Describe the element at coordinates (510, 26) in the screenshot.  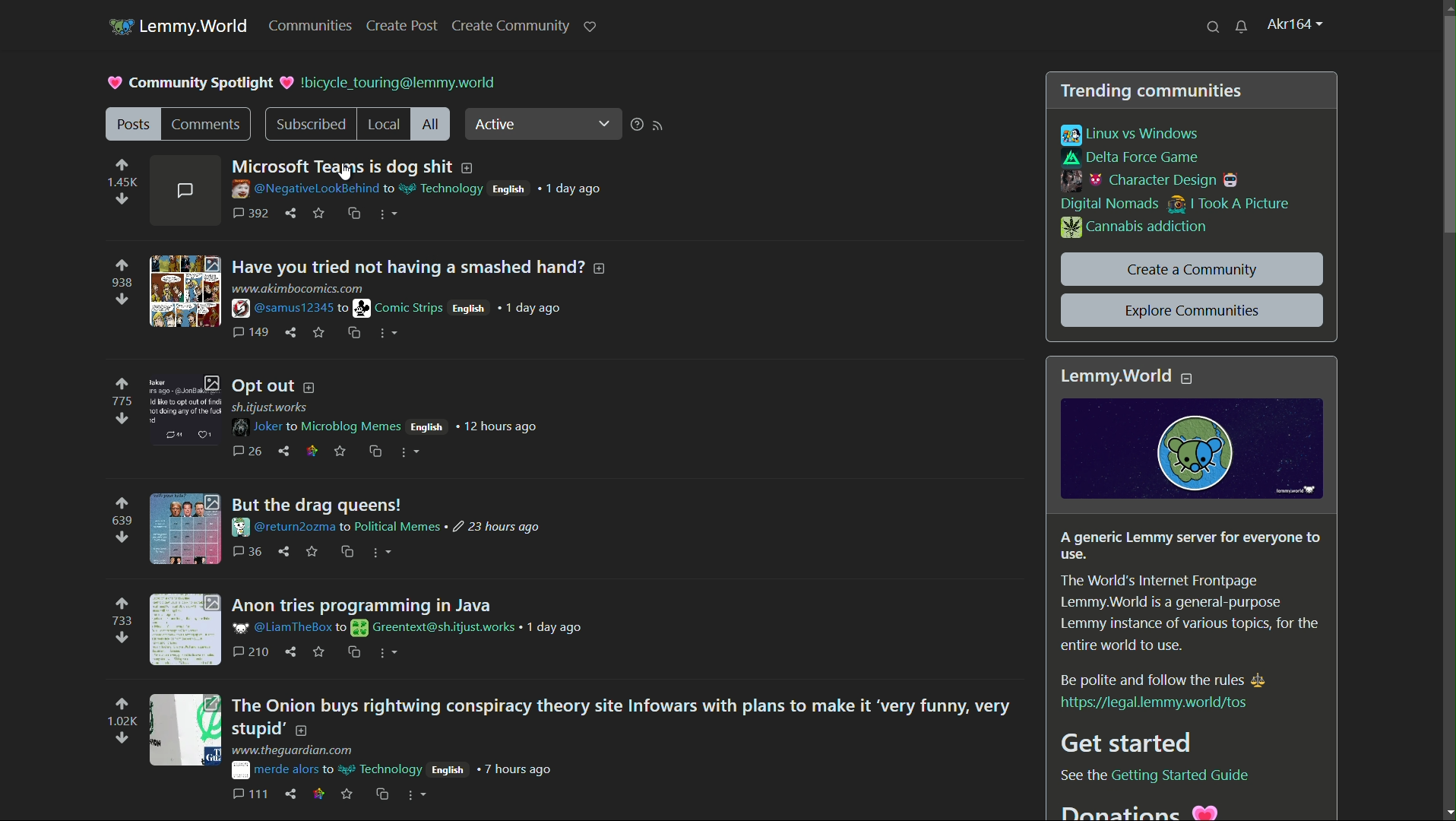
I see `create community` at that location.